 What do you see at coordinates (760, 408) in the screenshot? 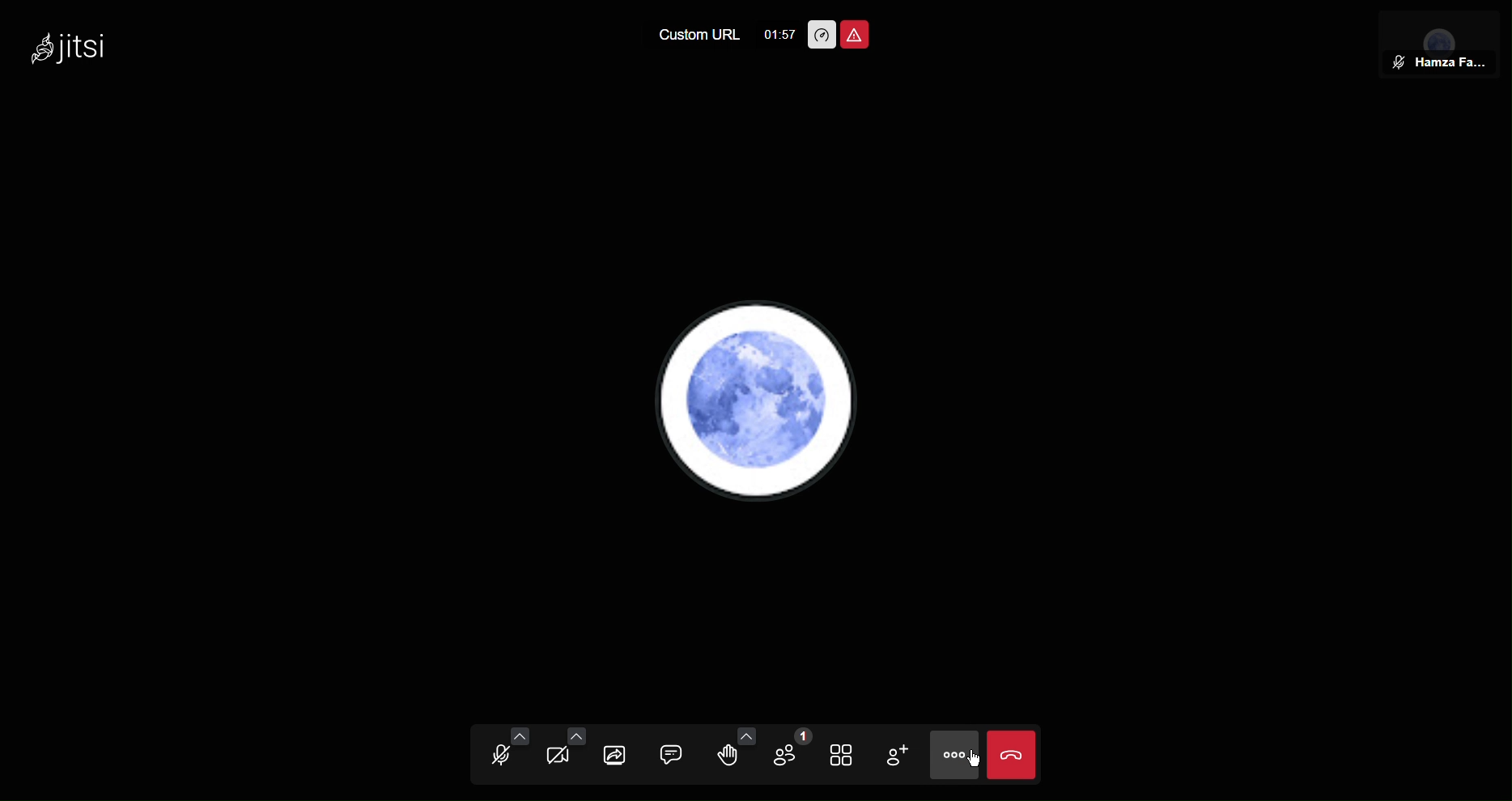
I see `Account PFP` at bounding box center [760, 408].